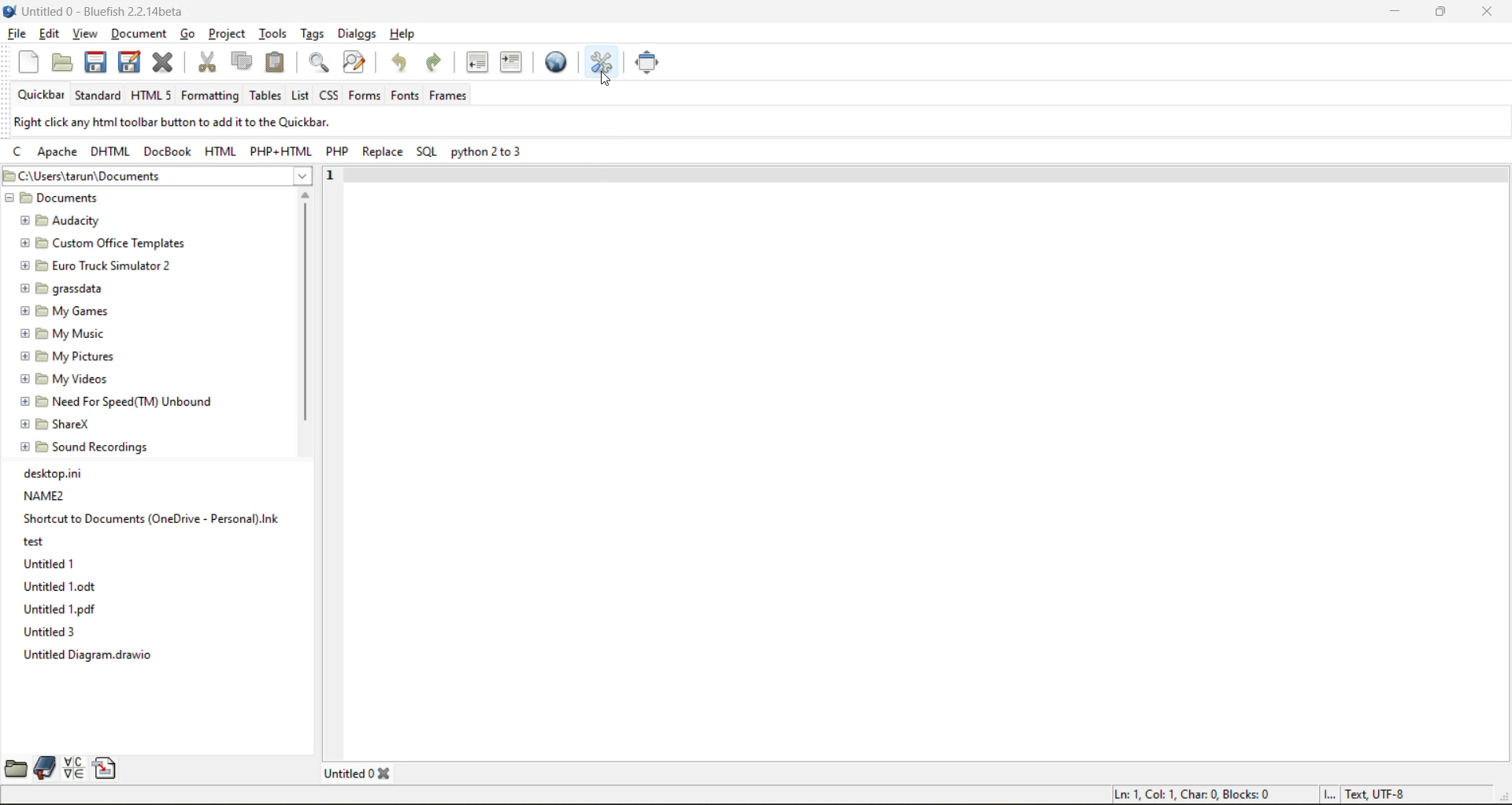 The height and width of the screenshot is (805, 1512). Describe the element at coordinates (109, 153) in the screenshot. I see `dhtml` at that location.